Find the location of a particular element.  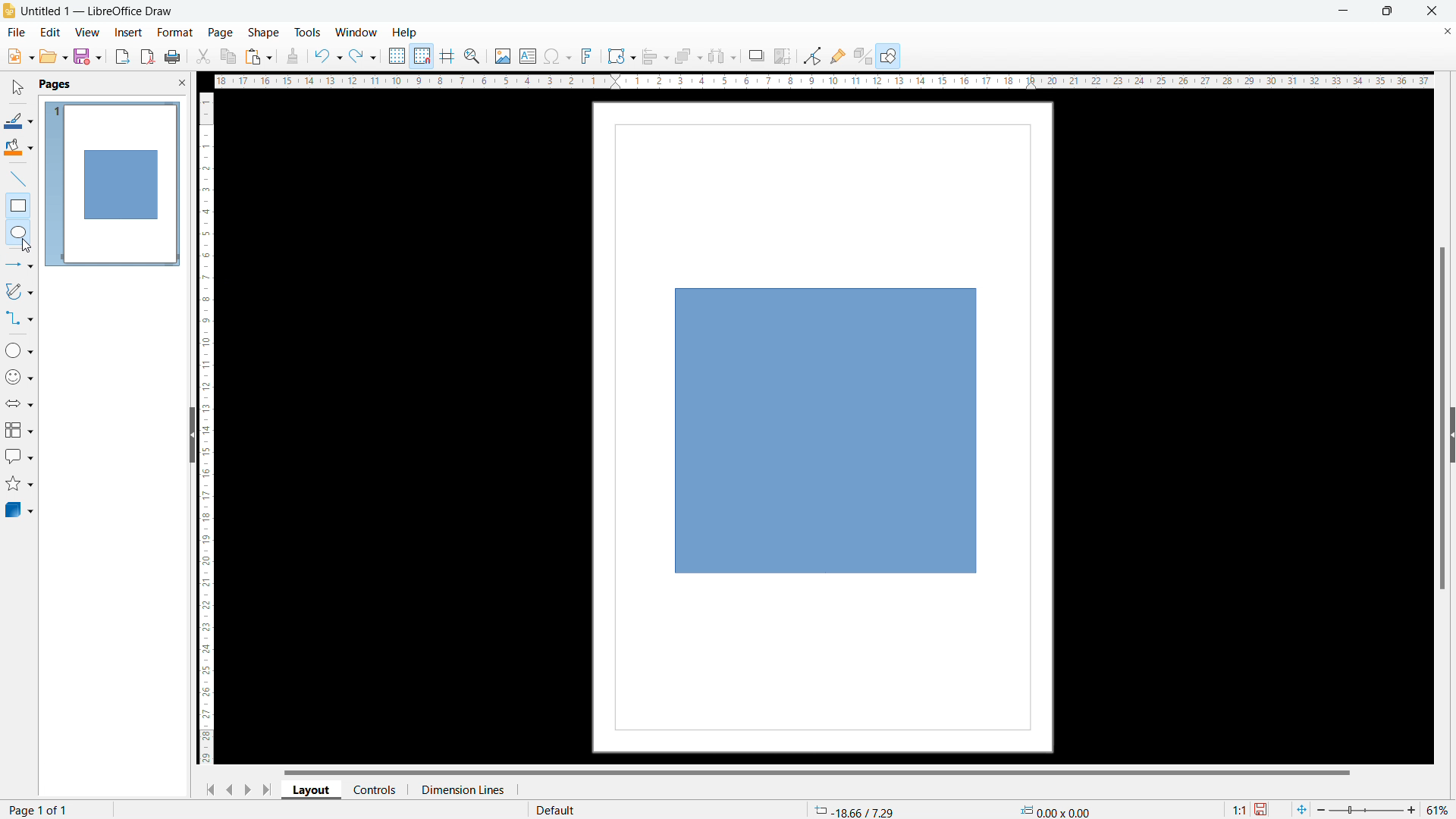

copy is located at coordinates (229, 56).